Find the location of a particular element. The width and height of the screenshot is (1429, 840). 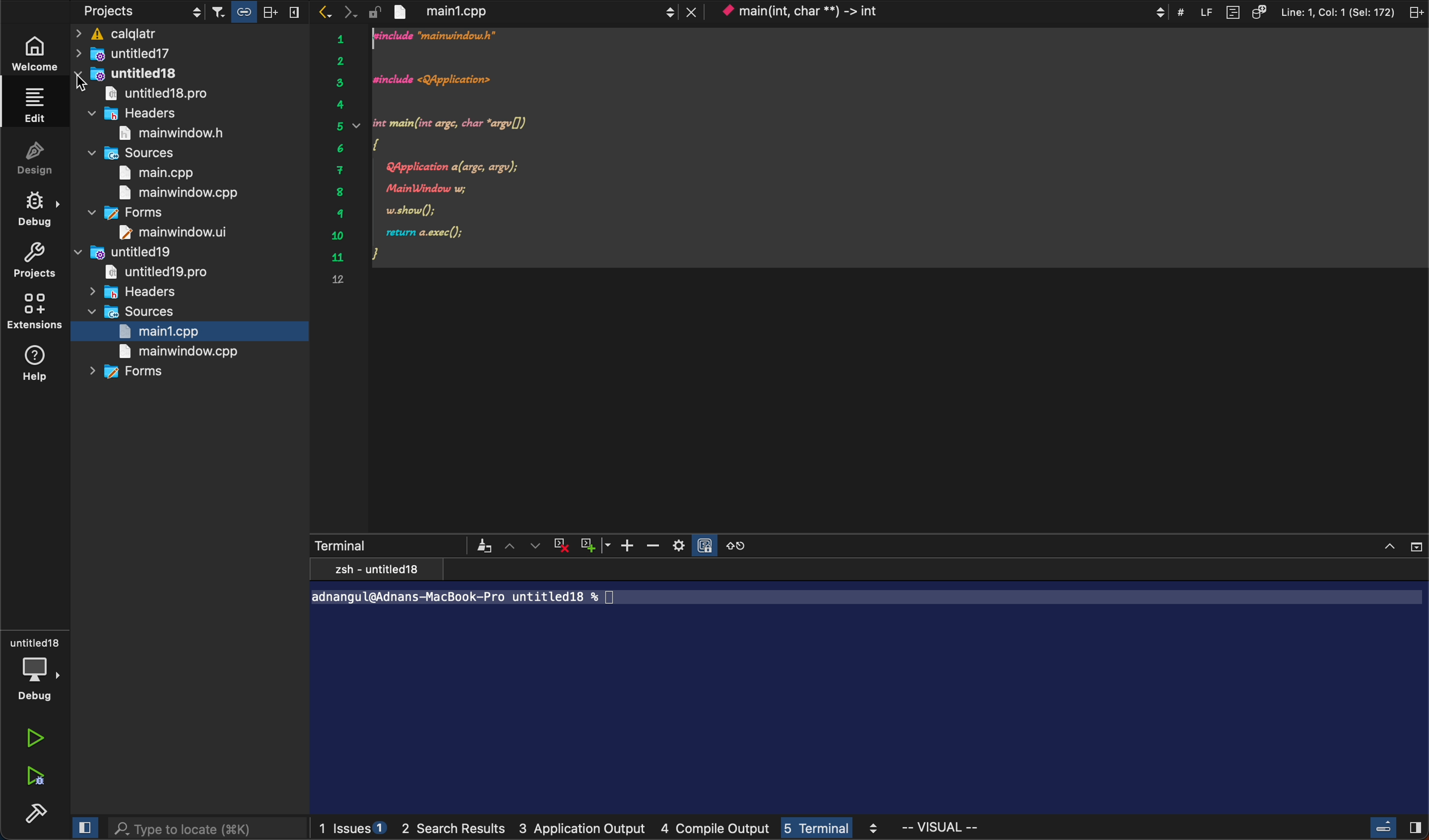

terminal is located at coordinates (827, 826).